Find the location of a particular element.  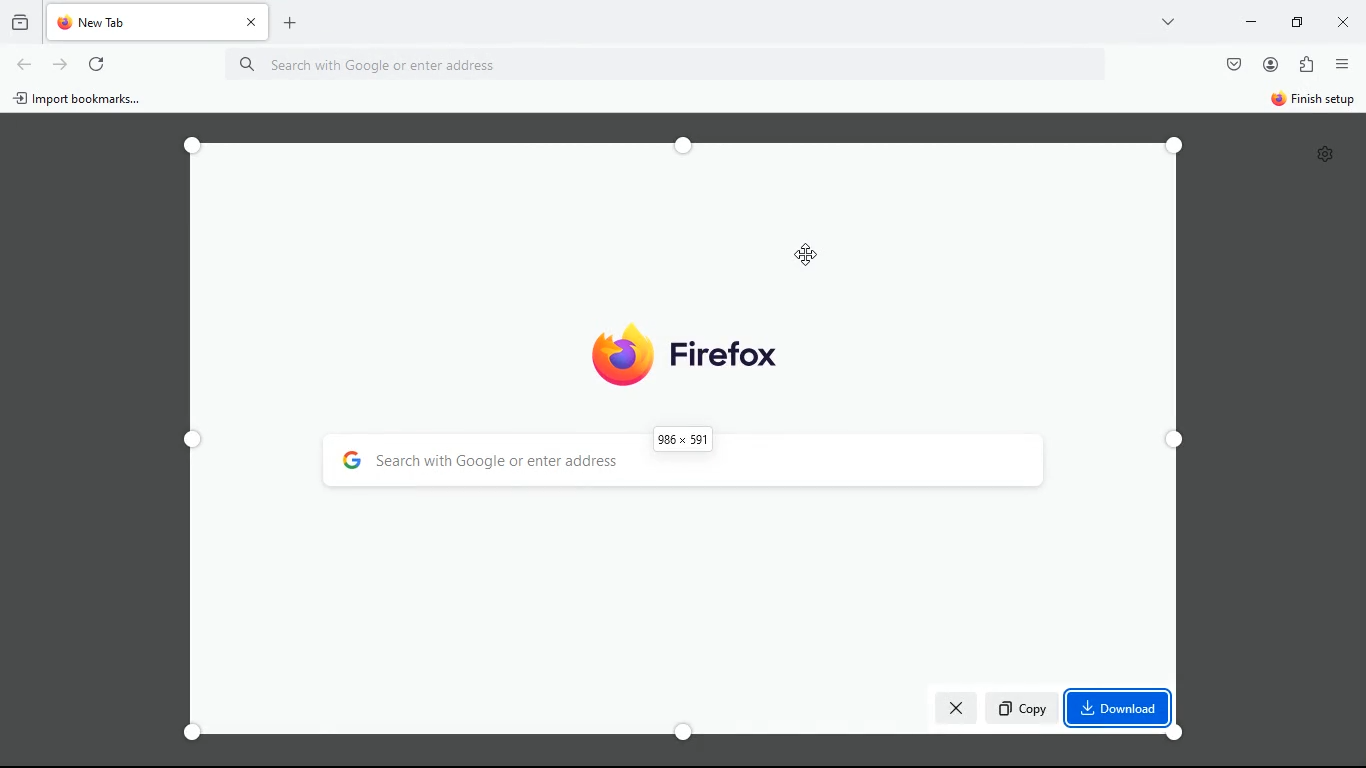

extensions is located at coordinates (1305, 65).